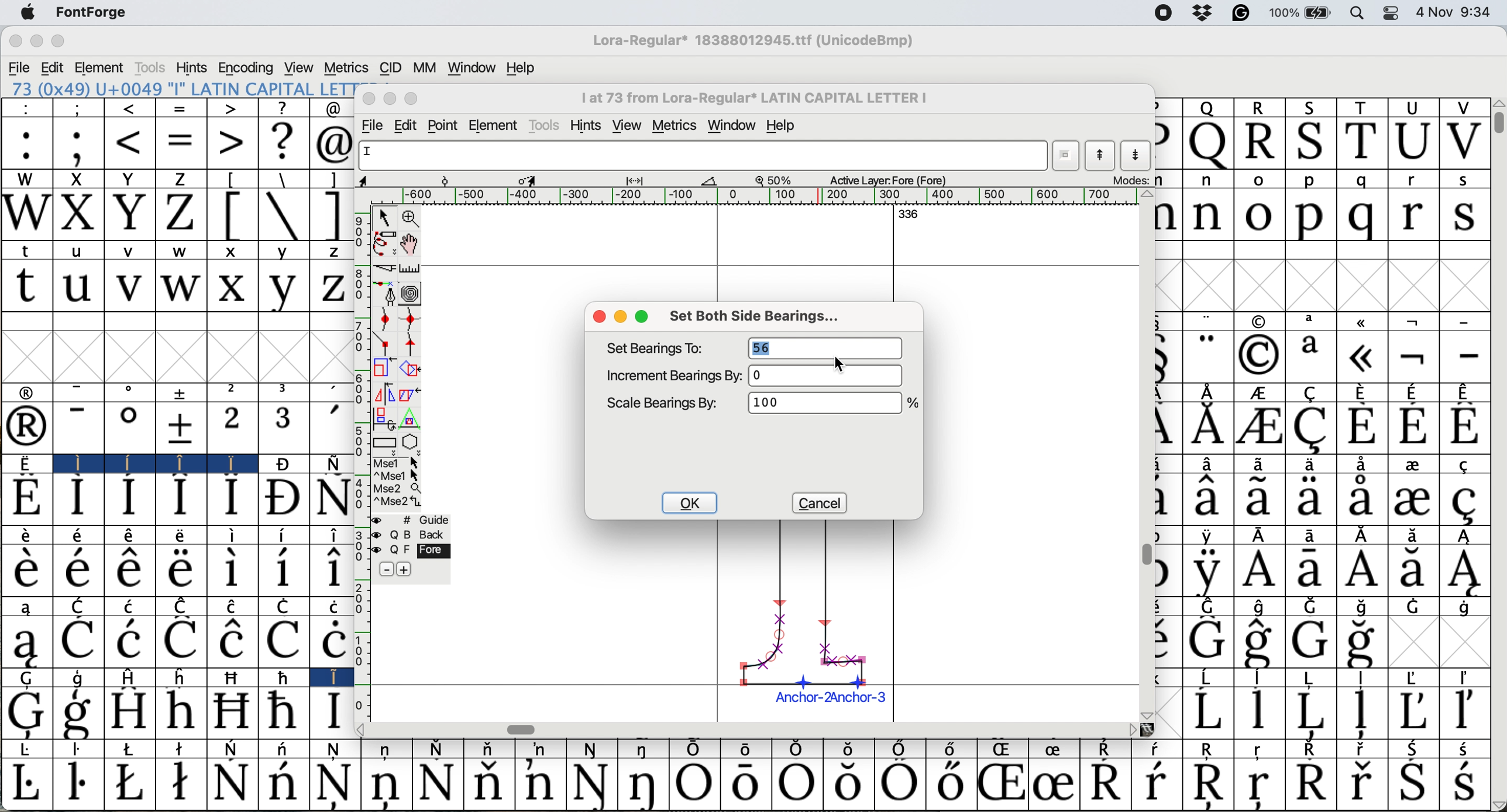 The width and height of the screenshot is (1507, 812). Describe the element at coordinates (1357, 15) in the screenshot. I see `spotlight search` at that location.